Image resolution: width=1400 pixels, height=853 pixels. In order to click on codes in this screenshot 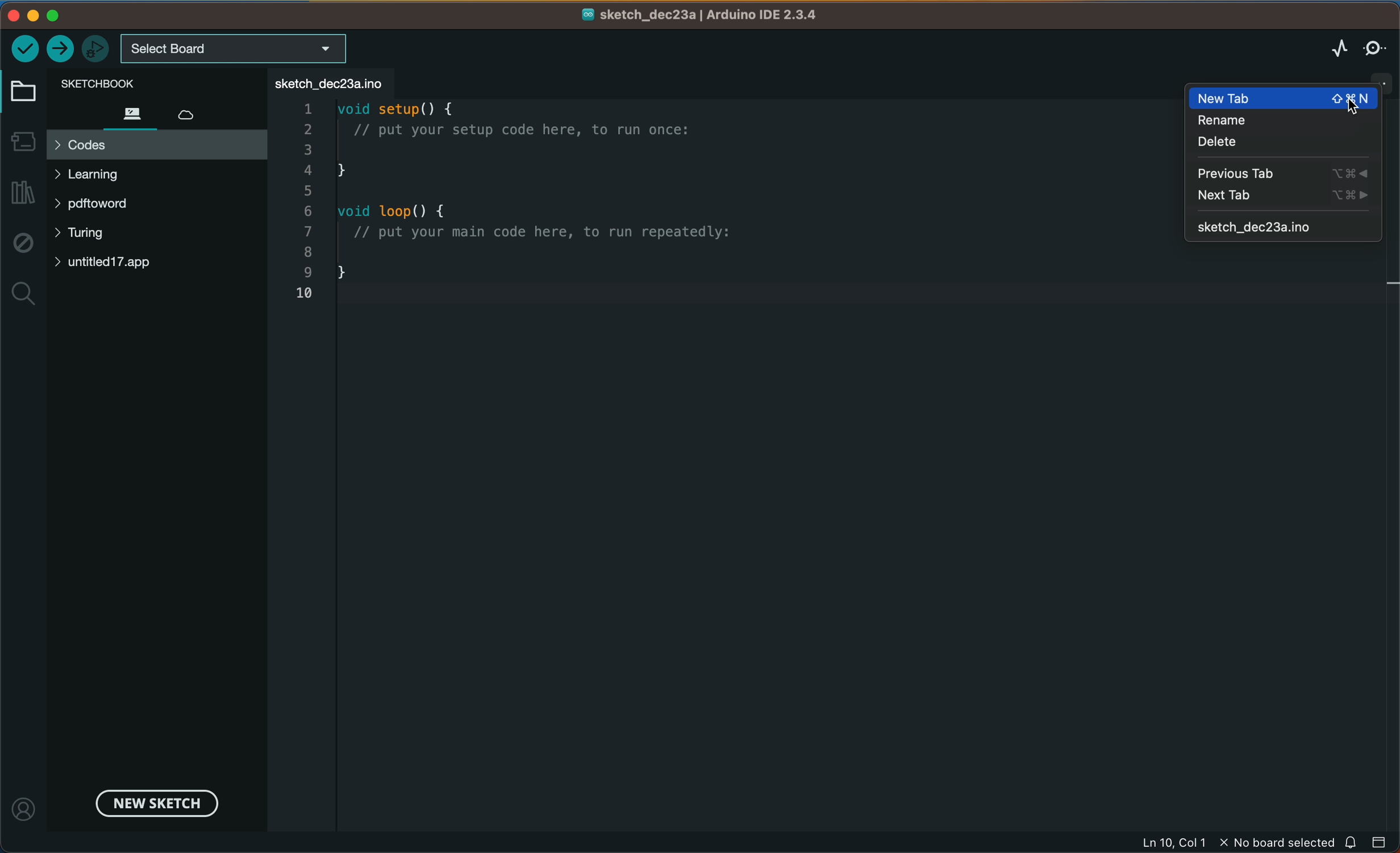, I will do `click(156, 145)`.